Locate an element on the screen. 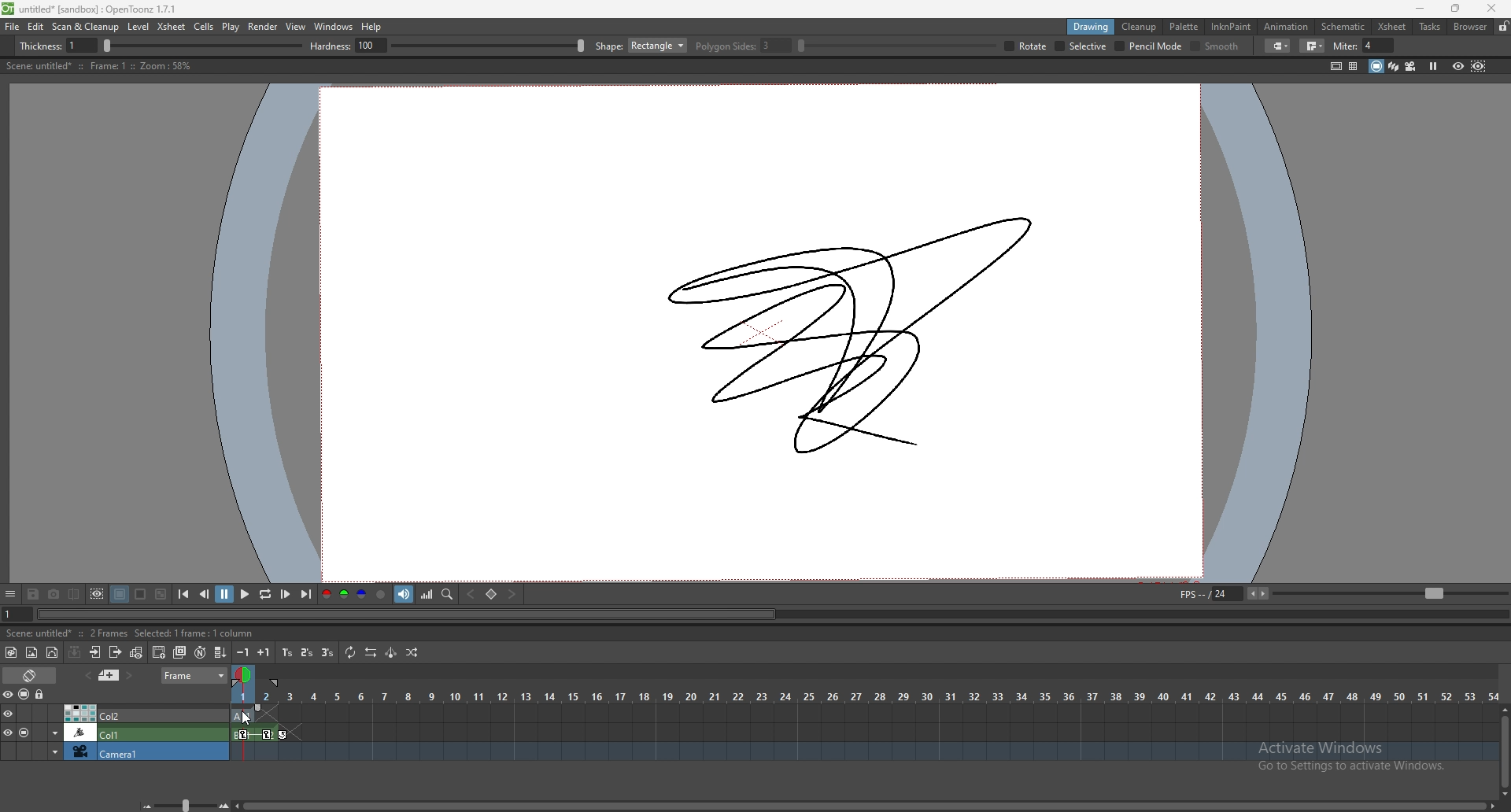 The image size is (1511, 812). fps is located at coordinates (1341, 592).